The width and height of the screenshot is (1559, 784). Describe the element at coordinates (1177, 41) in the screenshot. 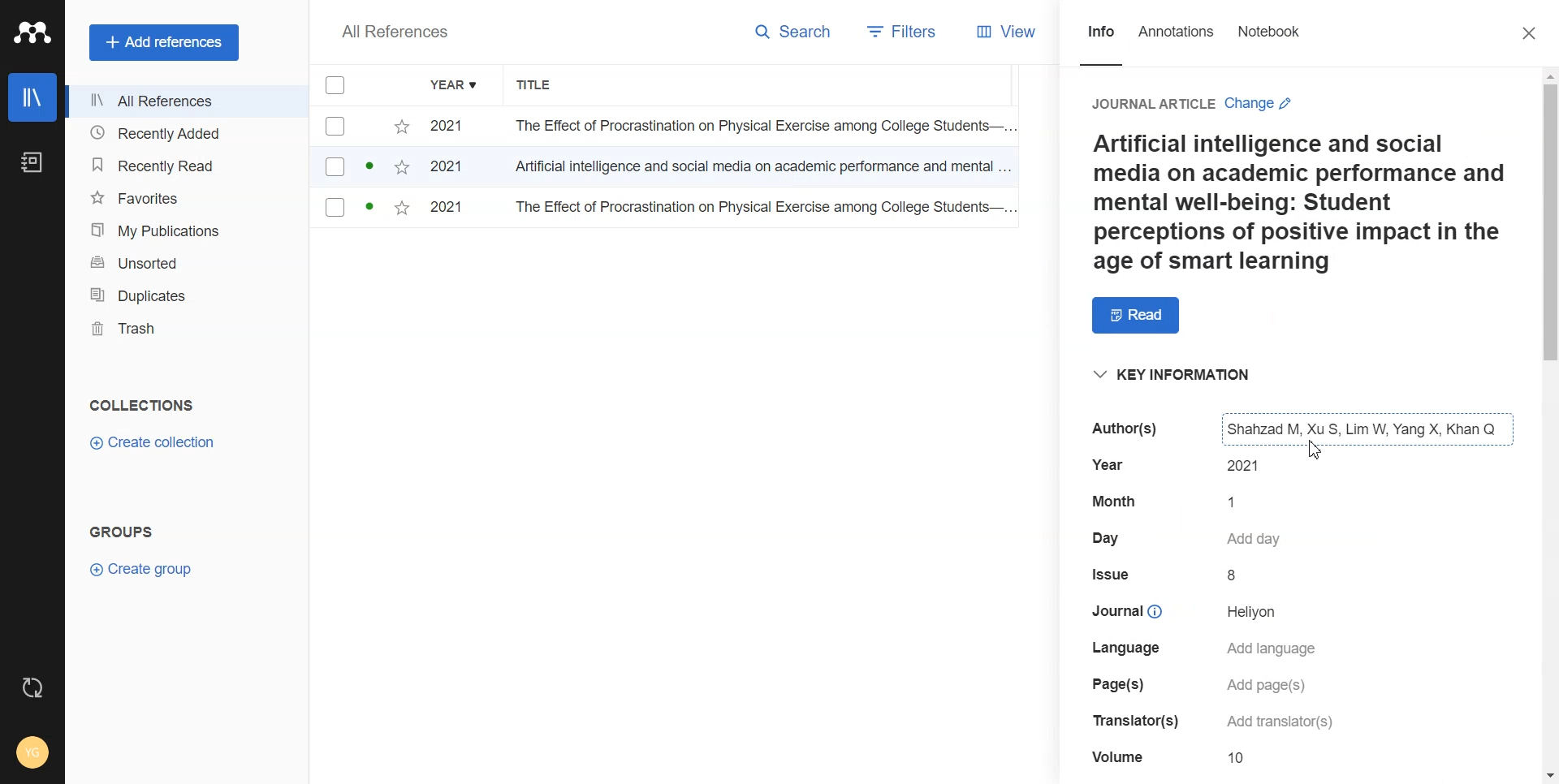

I see `Annotations` at that location.